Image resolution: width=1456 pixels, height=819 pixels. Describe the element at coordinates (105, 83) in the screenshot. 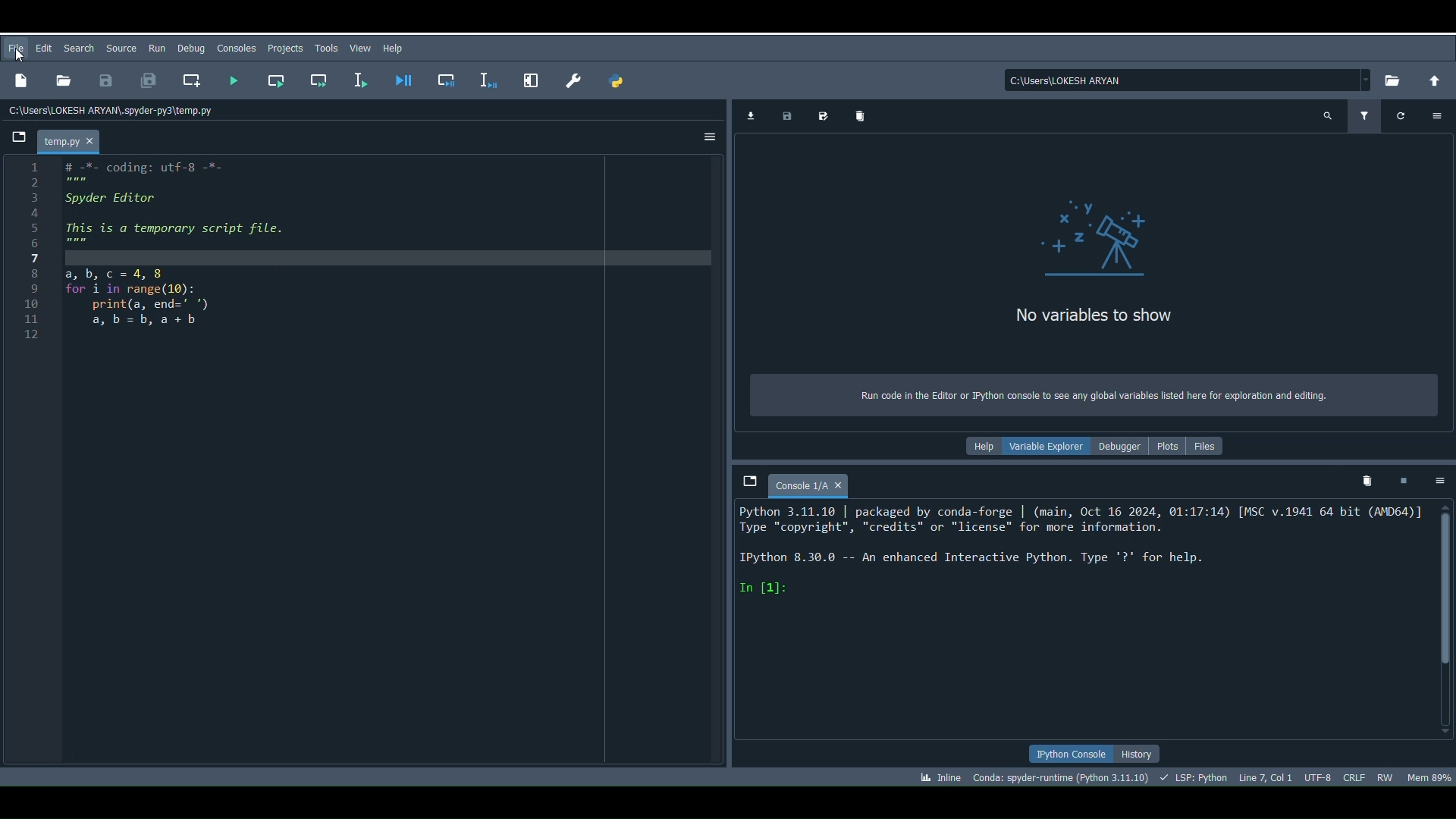

I see `Save file (Ctrl + S)` at that location.